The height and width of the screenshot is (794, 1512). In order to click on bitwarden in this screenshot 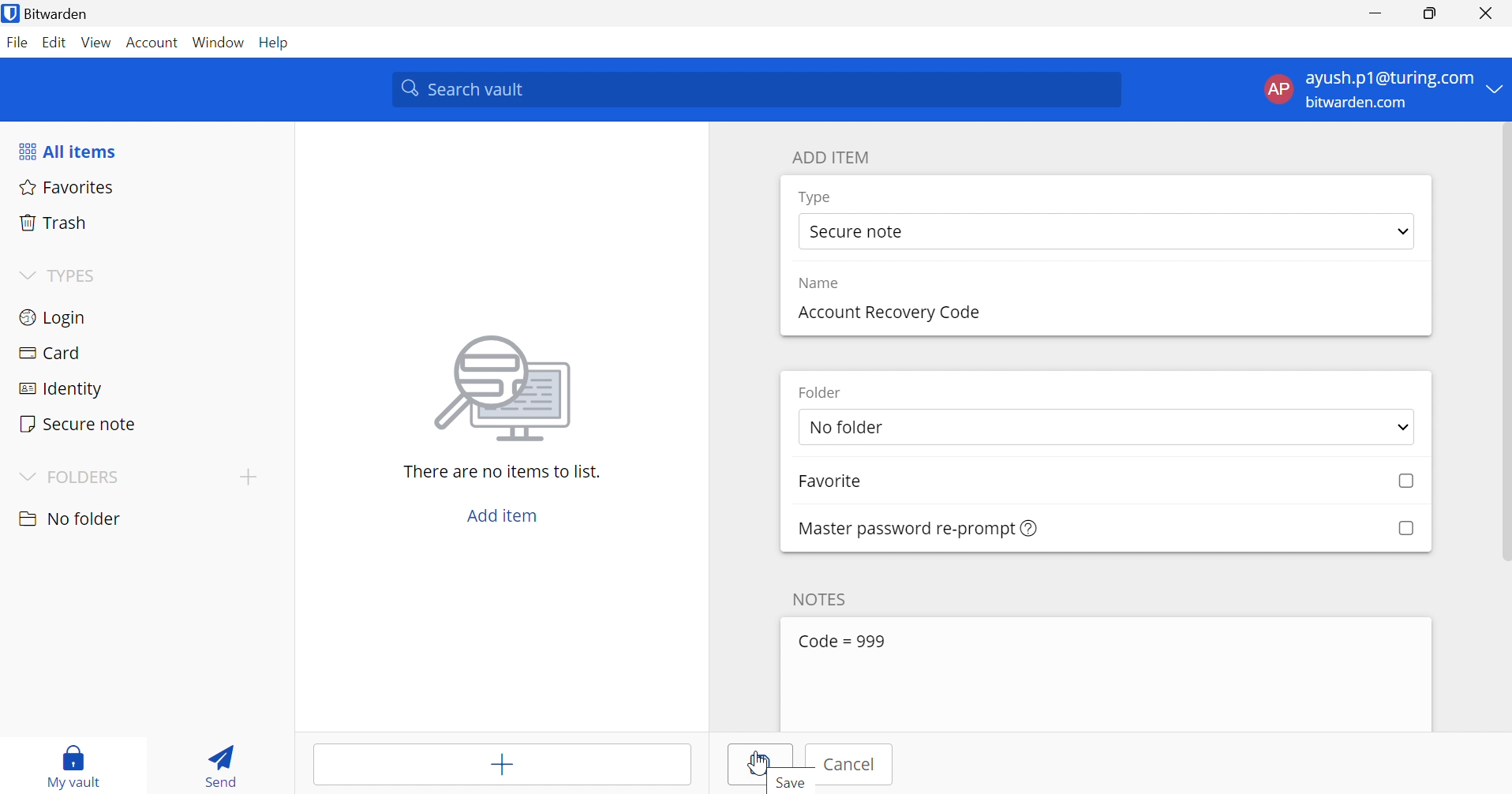, I will do `click(66, 13)`.